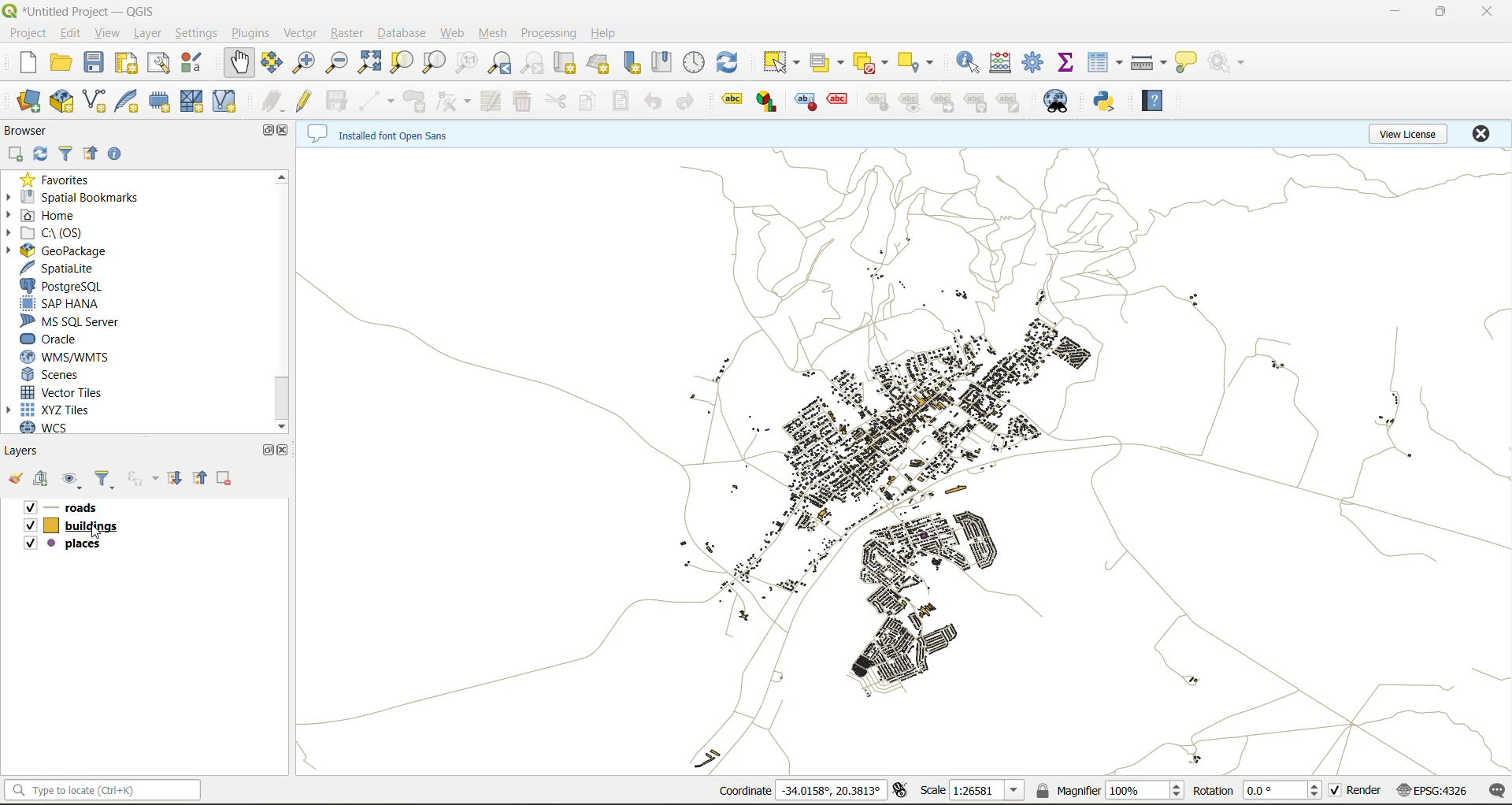 Image resolution: width=1512 pixels, height=805 pixels. Describe the element at coordinates (224, 100) in the screenshot. I see `virtual layer` at that location.